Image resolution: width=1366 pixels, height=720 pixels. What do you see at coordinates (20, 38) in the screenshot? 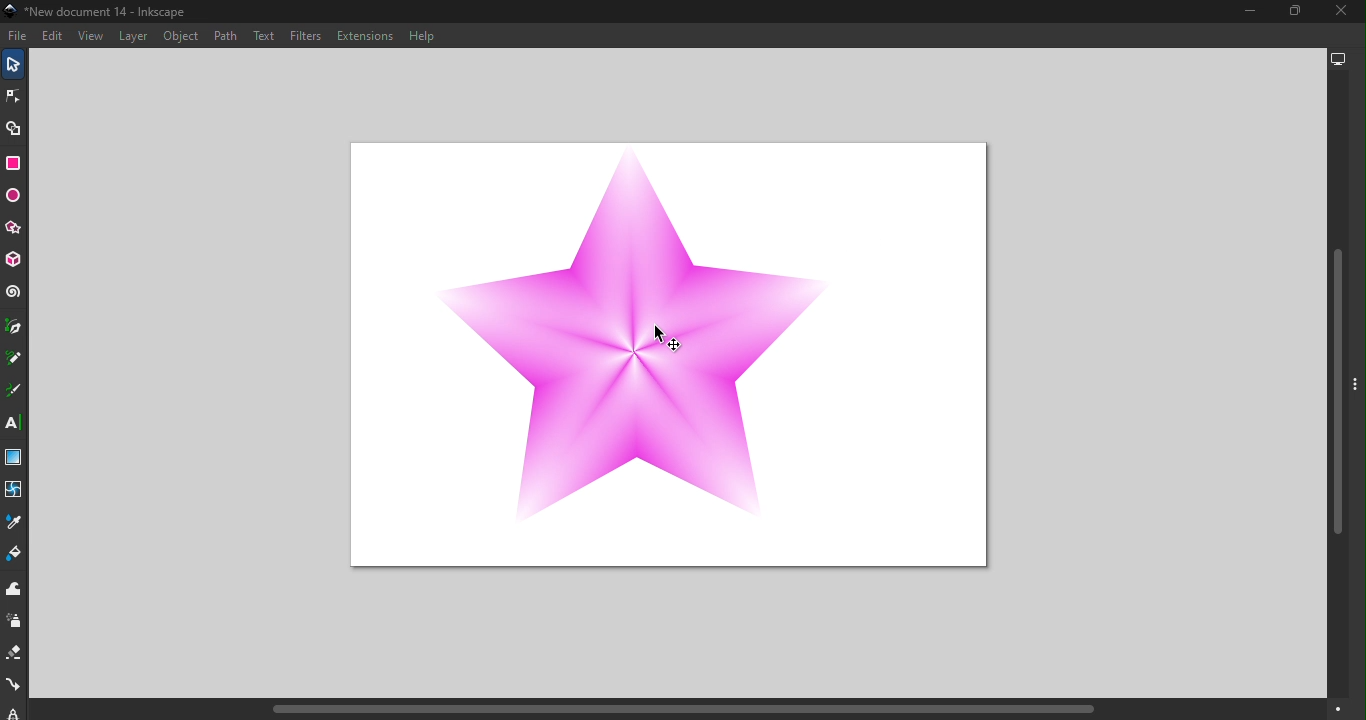
I see `File` at bounding box center [20, 38].